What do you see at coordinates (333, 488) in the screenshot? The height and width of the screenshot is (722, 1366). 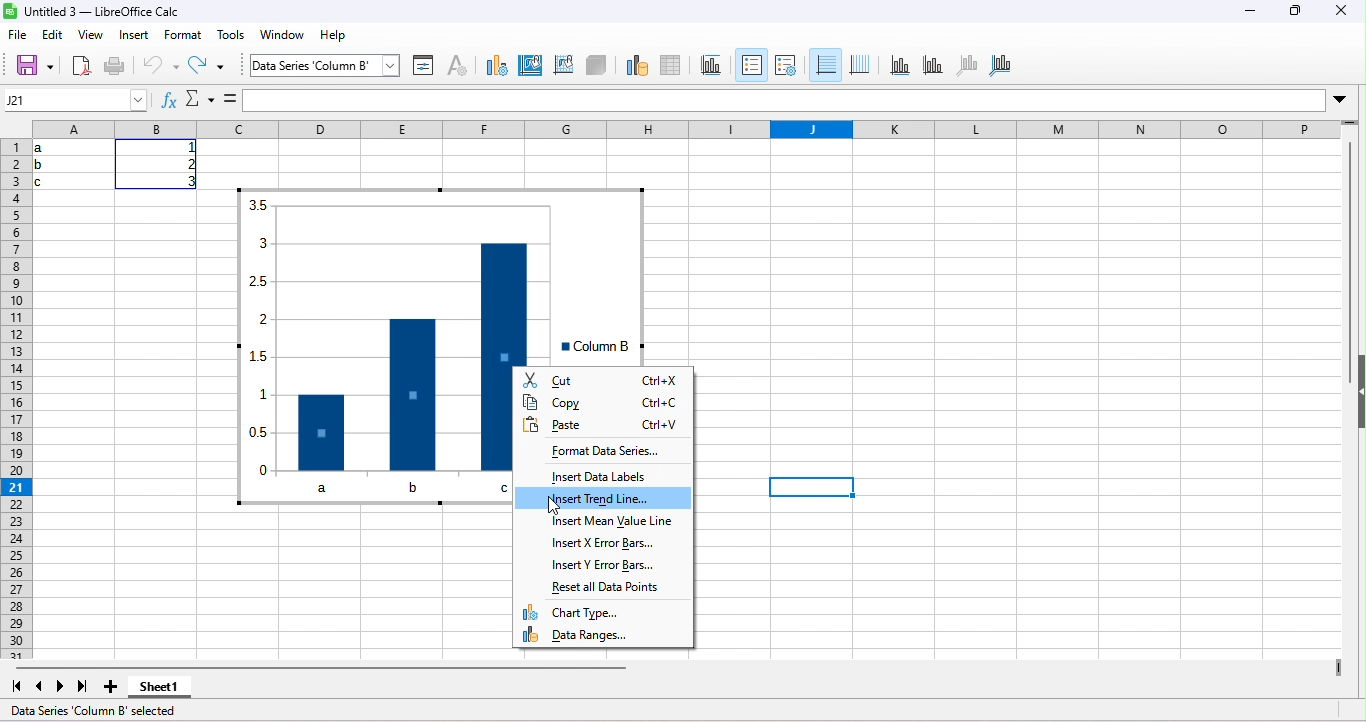 I see `a` at bounding box center [333, 488].